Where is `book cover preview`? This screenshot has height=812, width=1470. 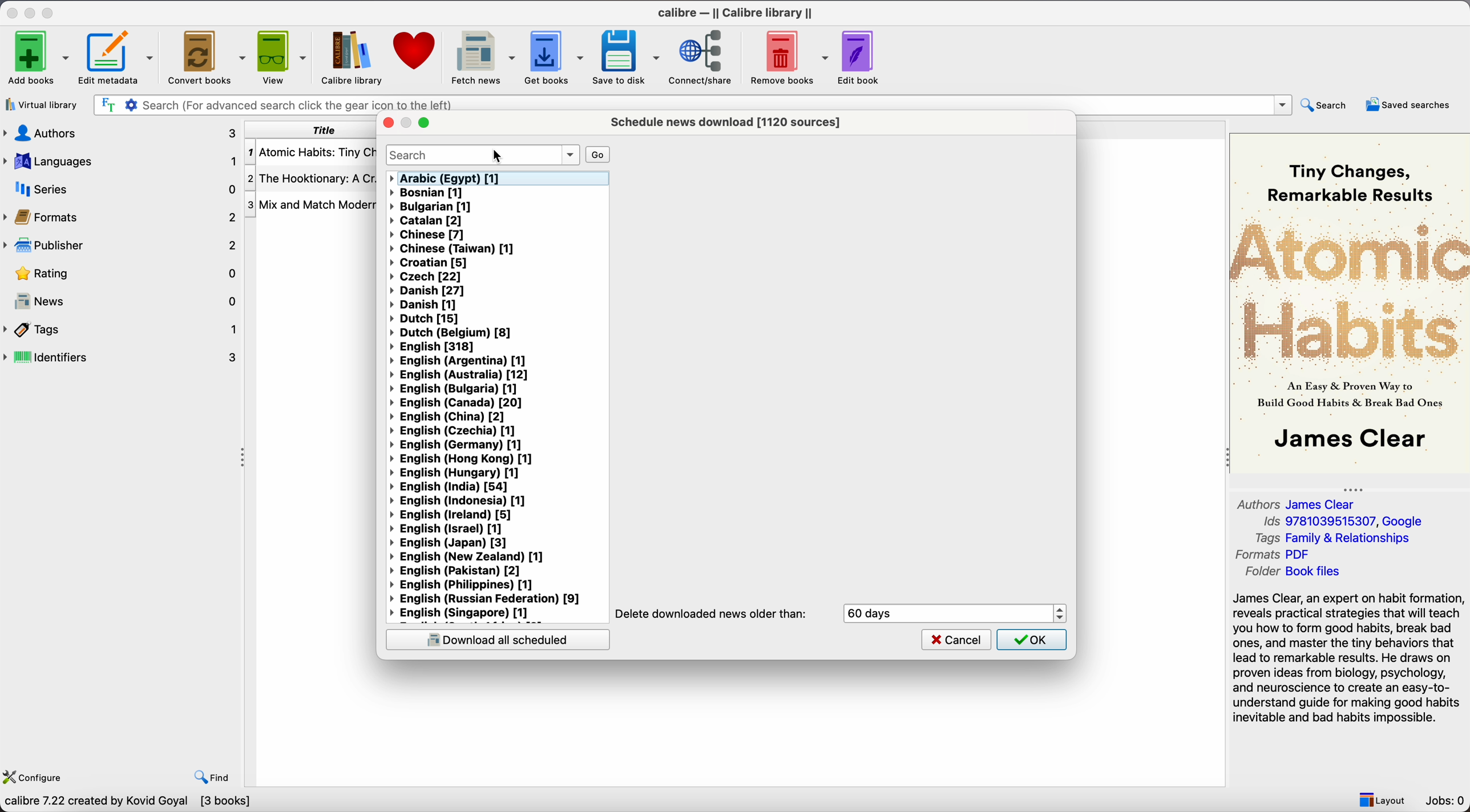 book cover preview is located at coordinates (1348, 302).